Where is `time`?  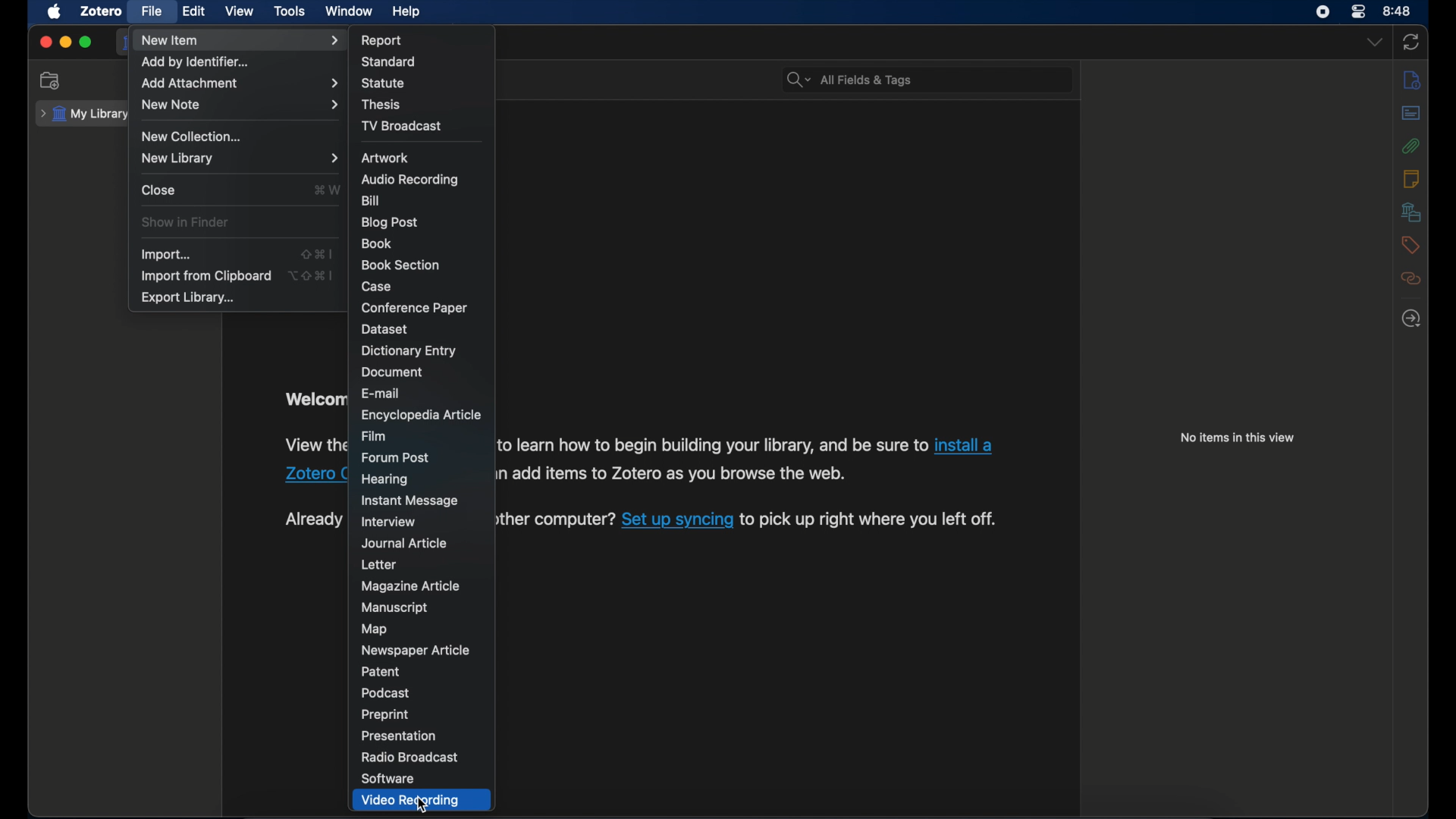 time is located at coordinates (1398, 11).